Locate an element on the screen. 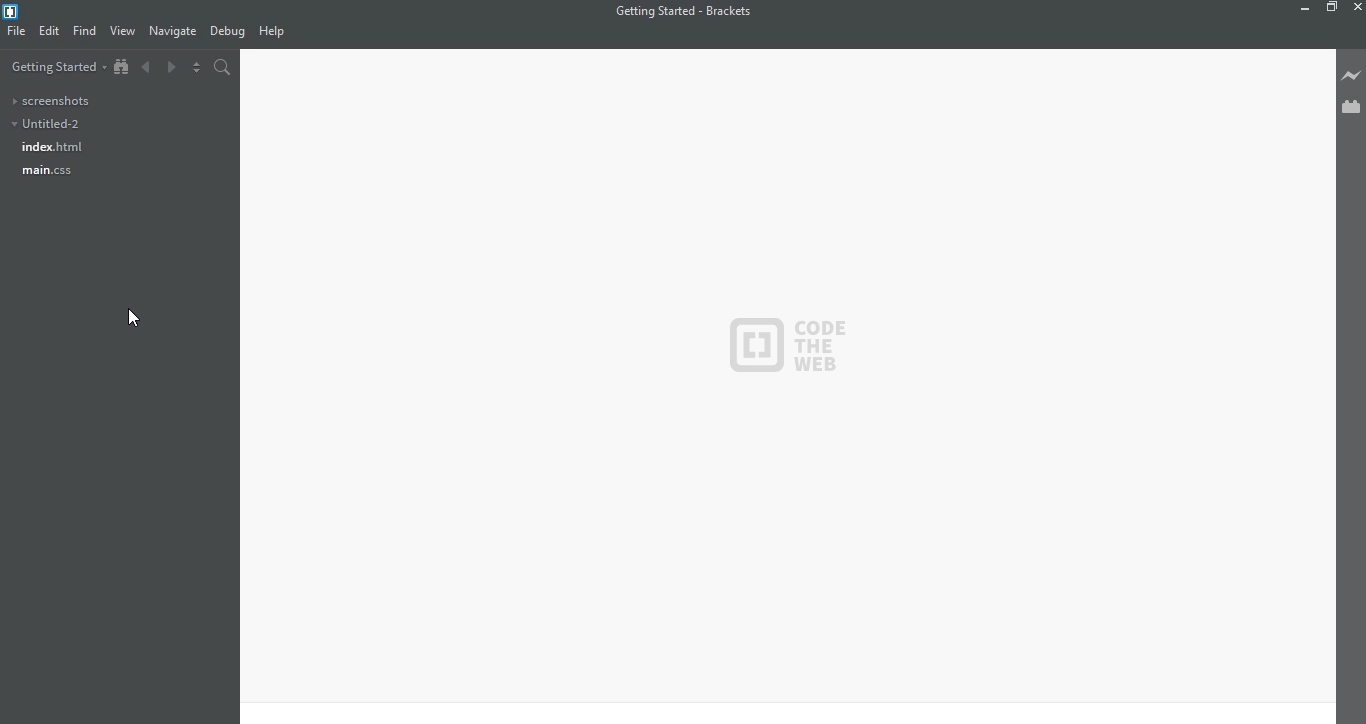 The image size is (1366, 724). live preview is located at coordinates (1349, 74).